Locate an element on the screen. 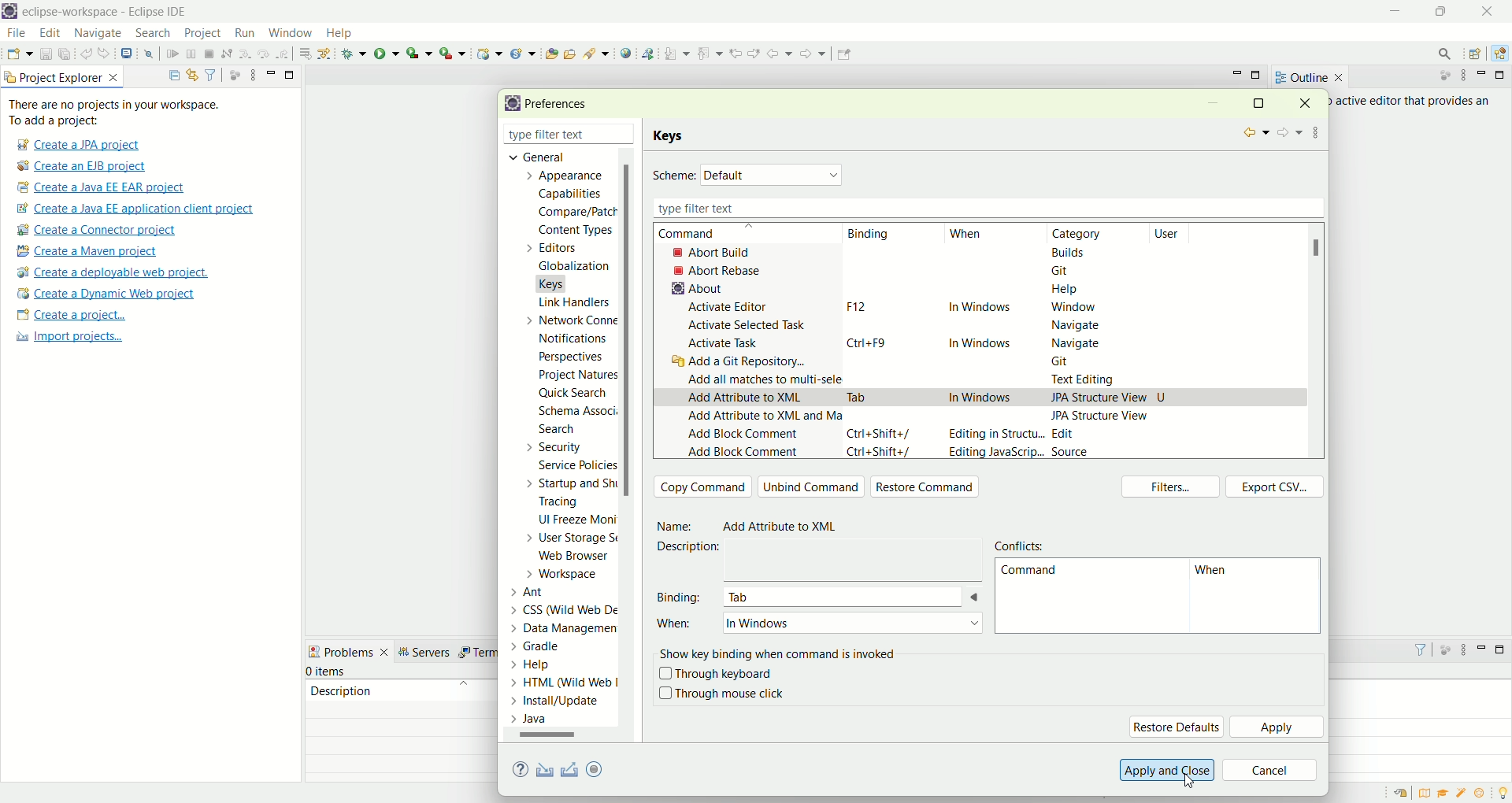 The image size is (1512, 803). capabilities is located at coordinates (573, 194).